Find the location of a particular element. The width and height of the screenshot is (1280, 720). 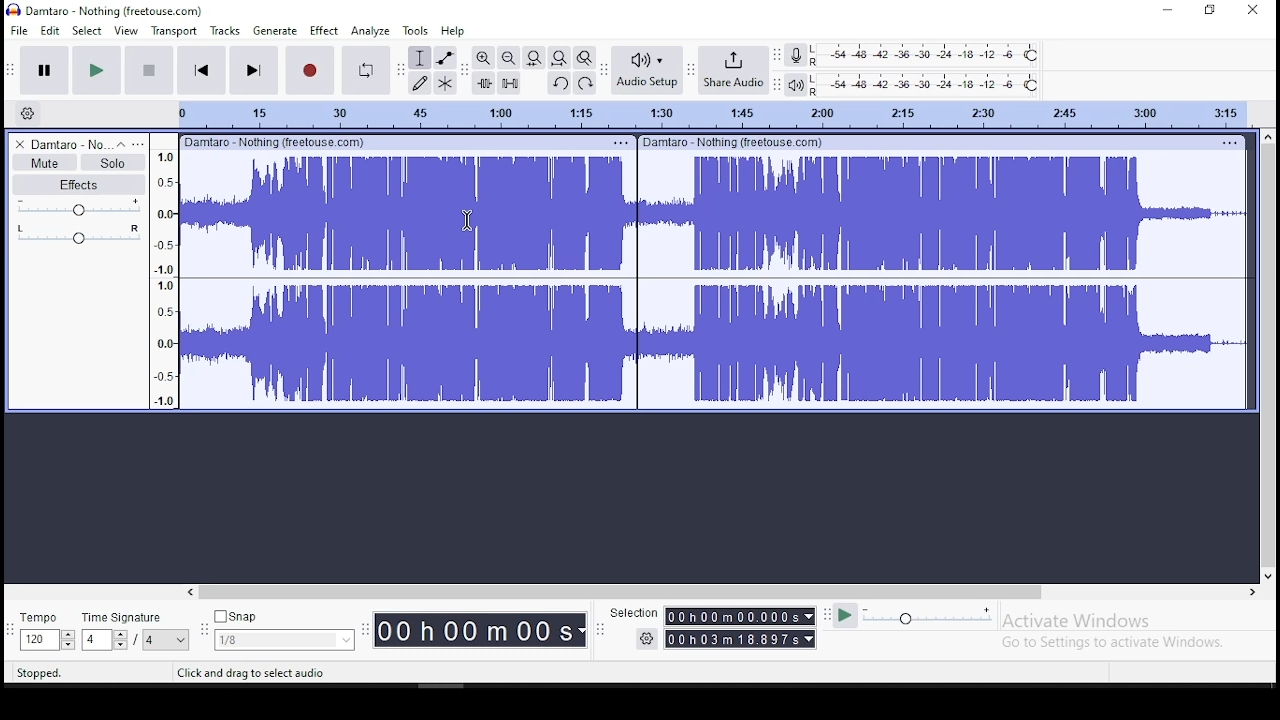

audio clip is located at coordinates (943, 281).